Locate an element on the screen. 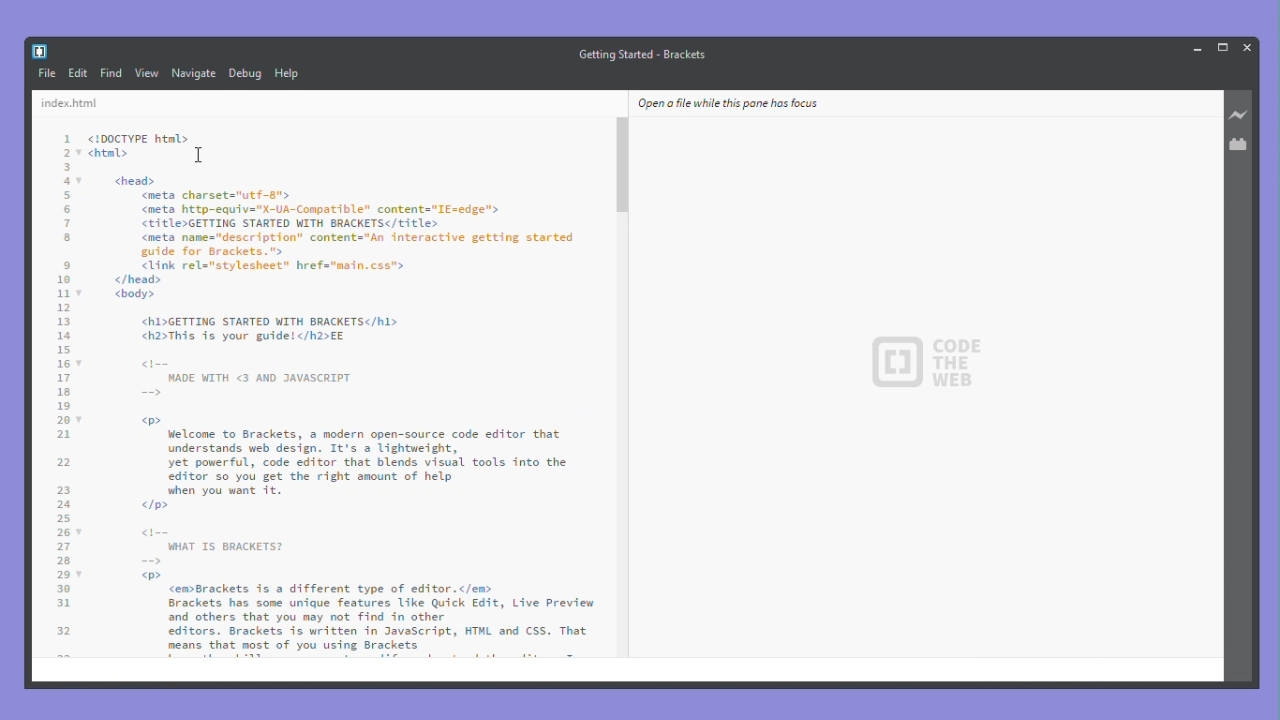 This screenshot has width=1280, height=720. code fold is located at coordinates (81, 182).